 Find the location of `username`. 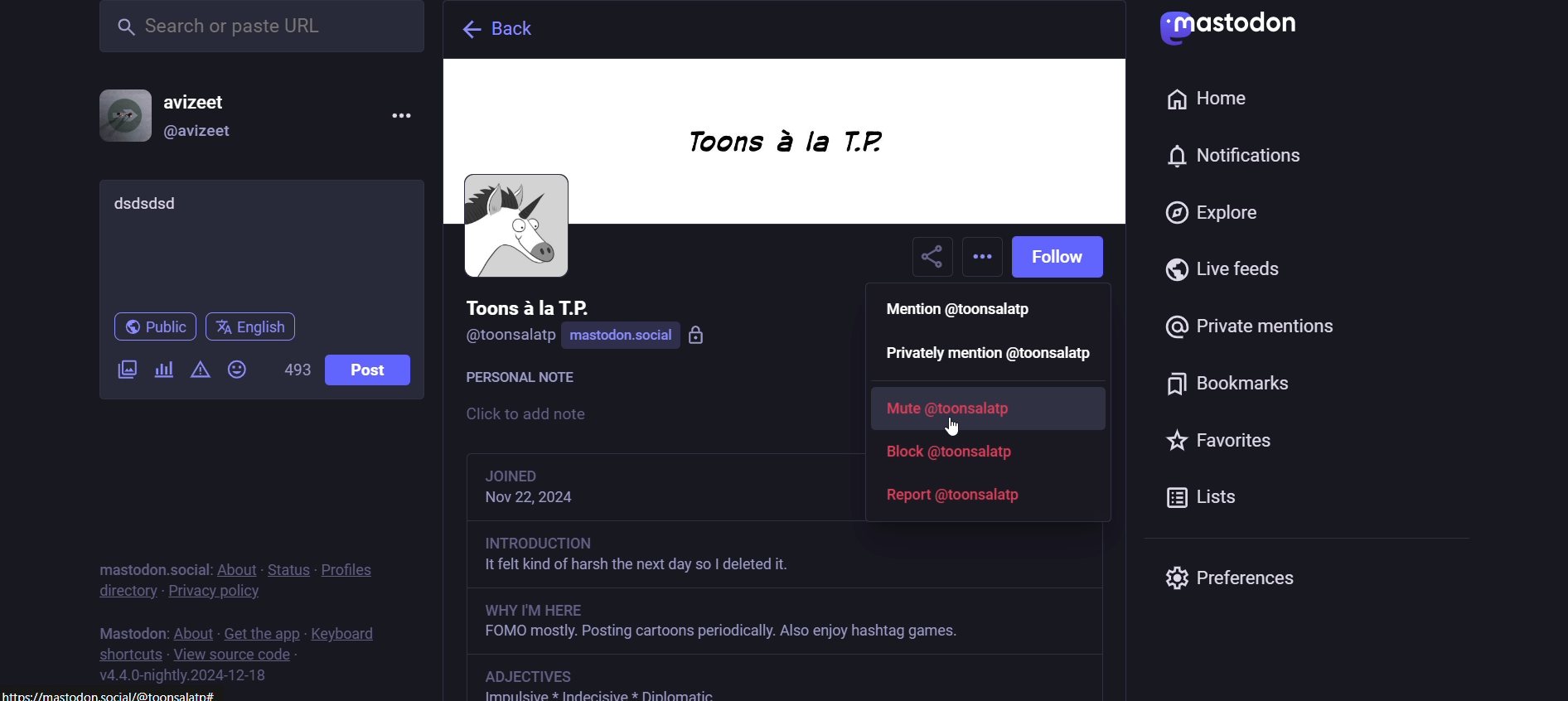

username is located at coordinates (529, 306).